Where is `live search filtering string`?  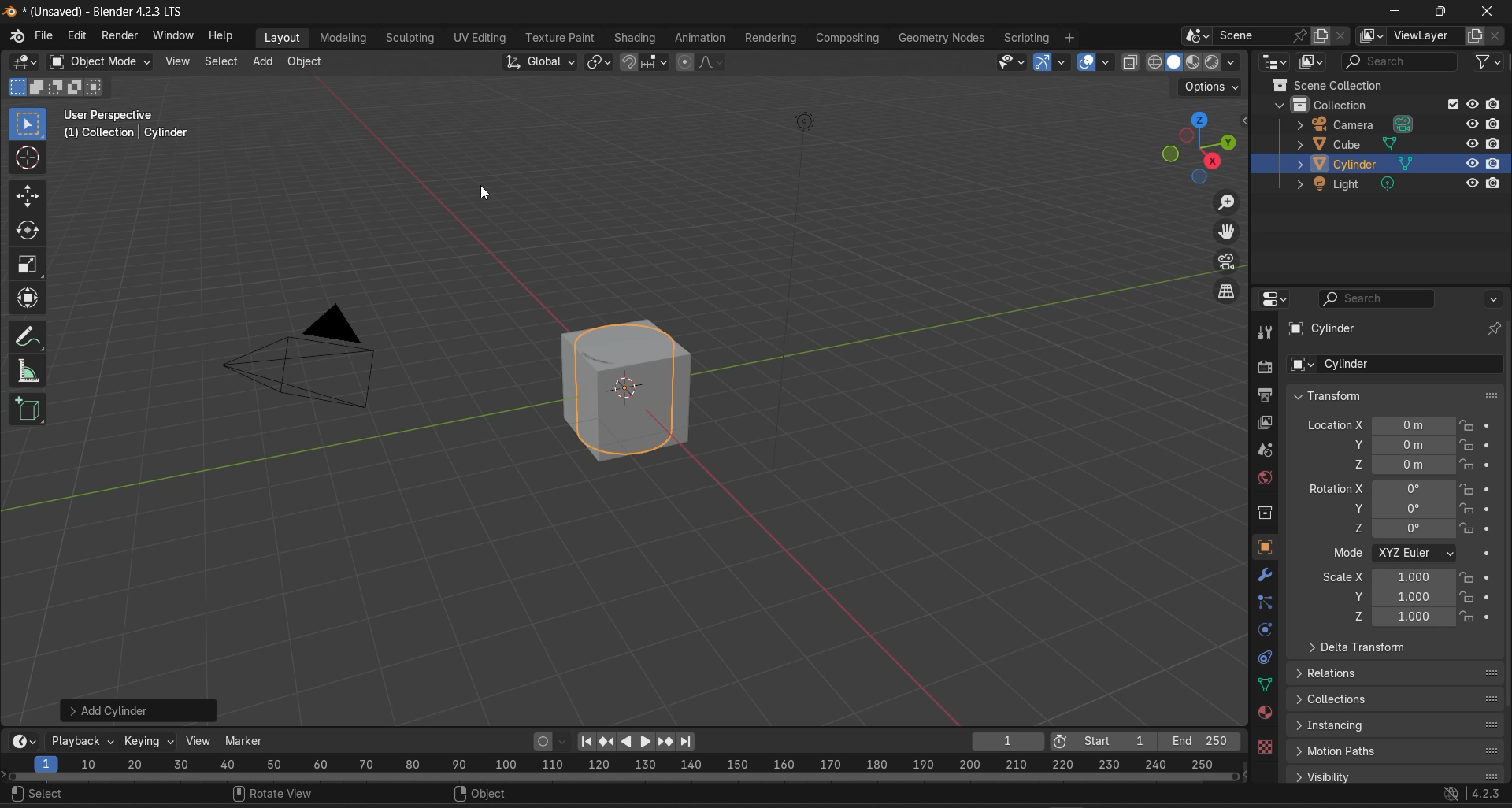
live search filtering string is located at coordinates (1380, 298).